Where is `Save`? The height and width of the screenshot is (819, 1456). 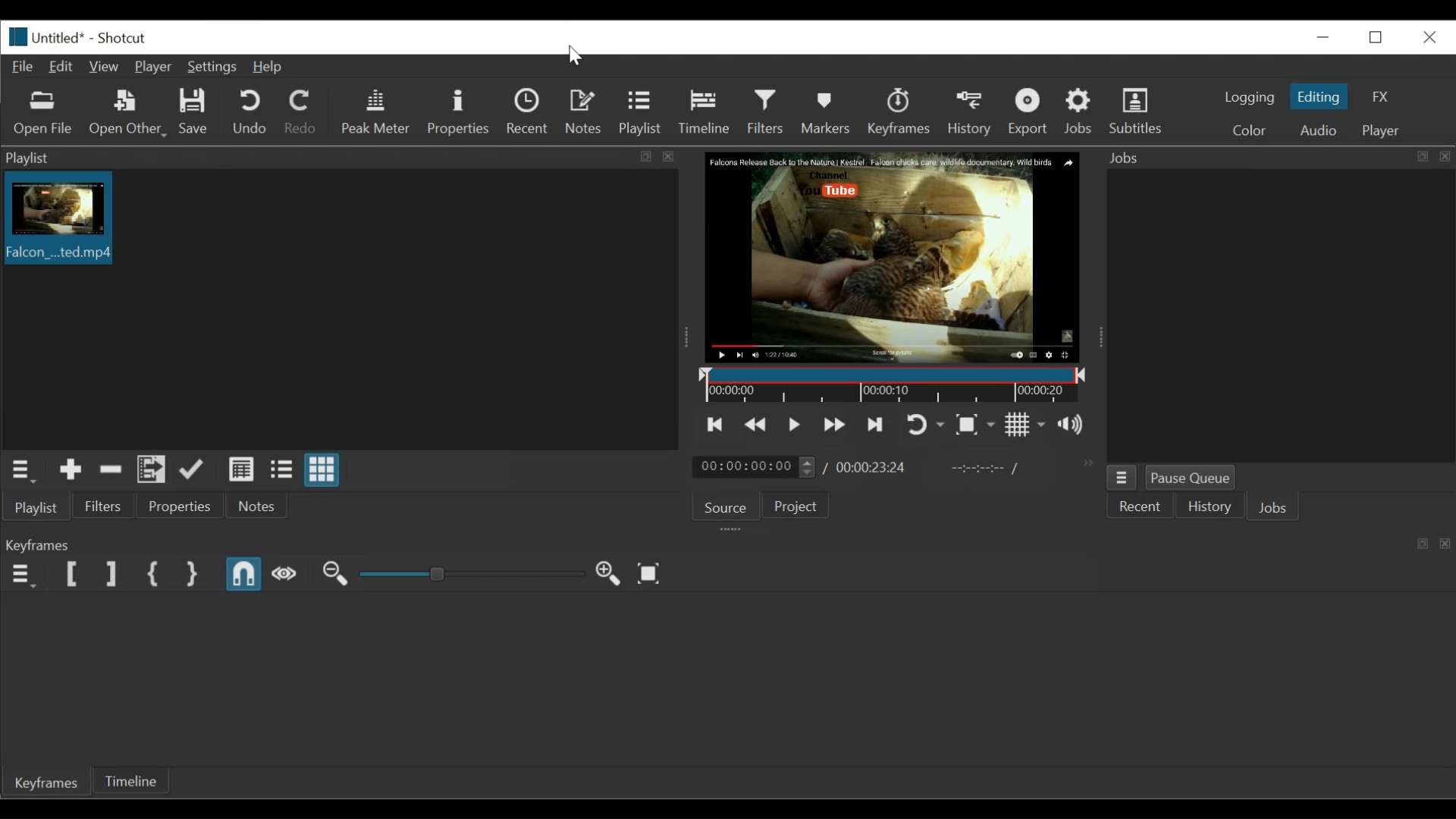 Save is located at coordinates (194, 112).